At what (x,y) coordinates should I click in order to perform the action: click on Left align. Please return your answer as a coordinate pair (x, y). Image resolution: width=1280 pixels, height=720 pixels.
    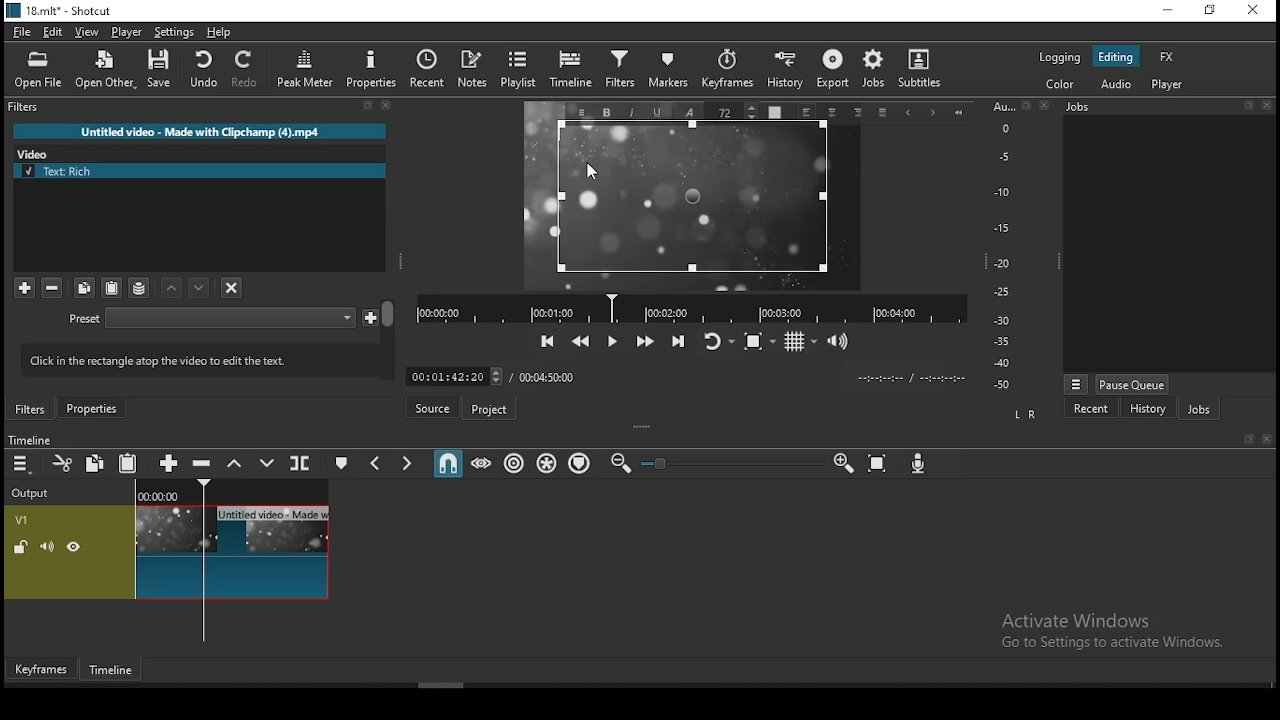
    Looking at the image, I should click on (806, 112).